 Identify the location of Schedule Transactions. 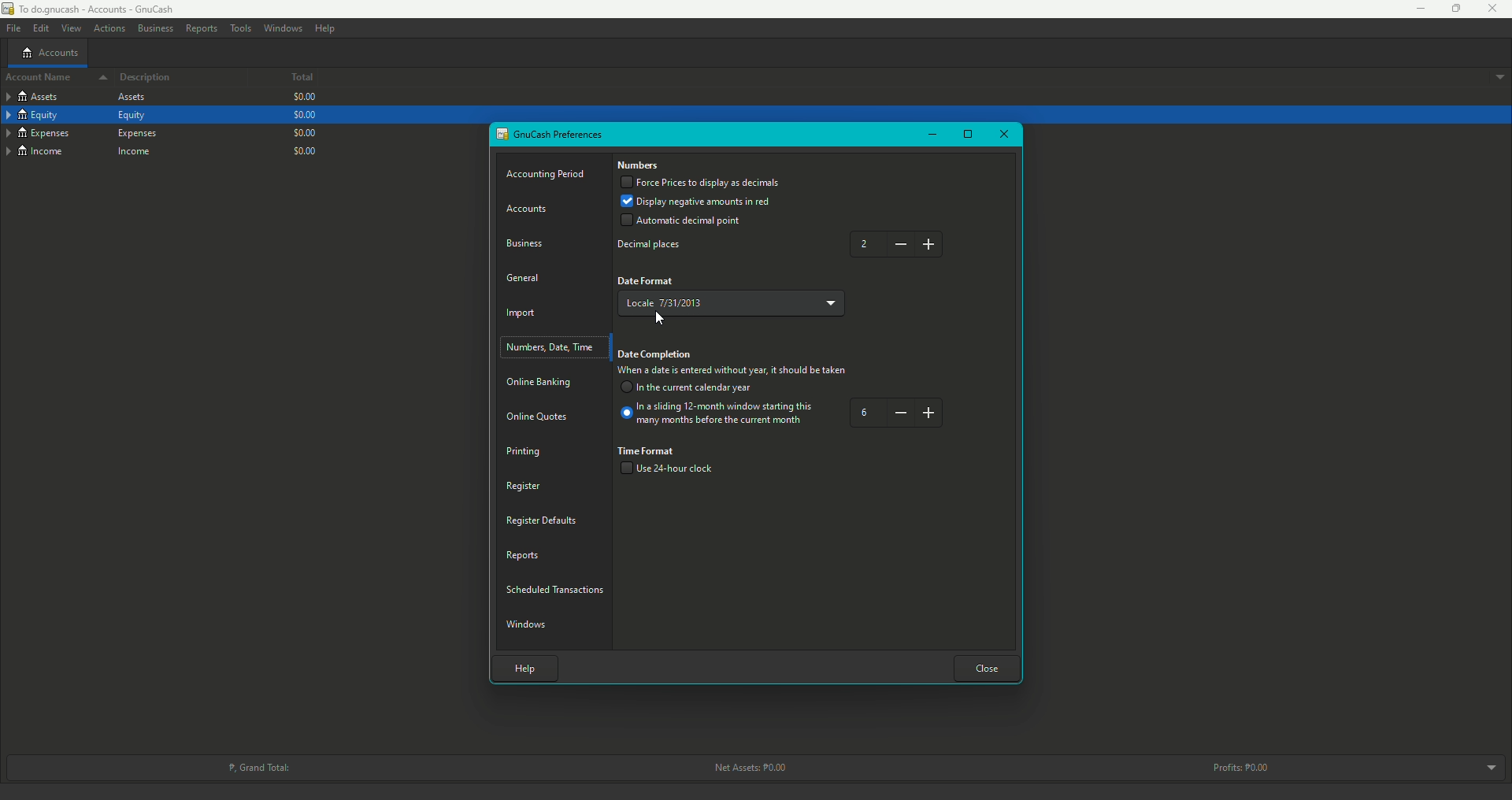
(558, 587).